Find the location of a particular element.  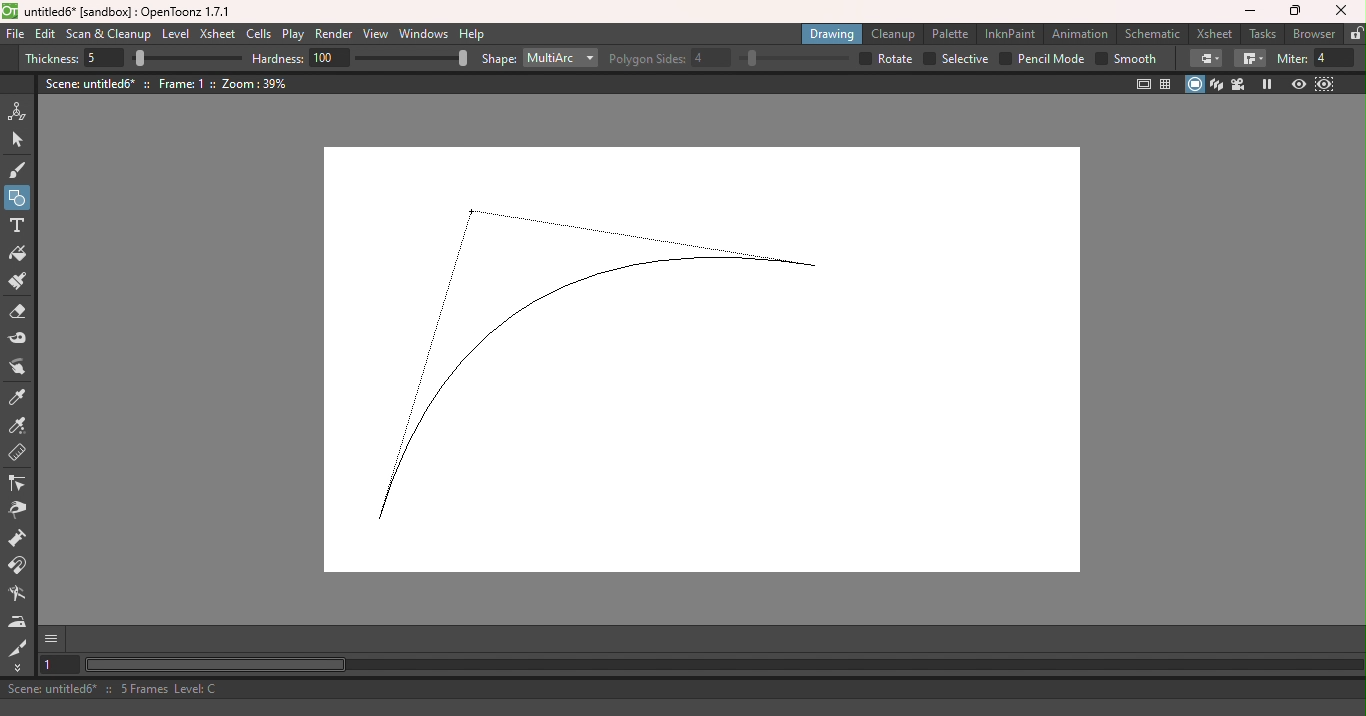

Xsheet is located at coordinates (1214, 33).